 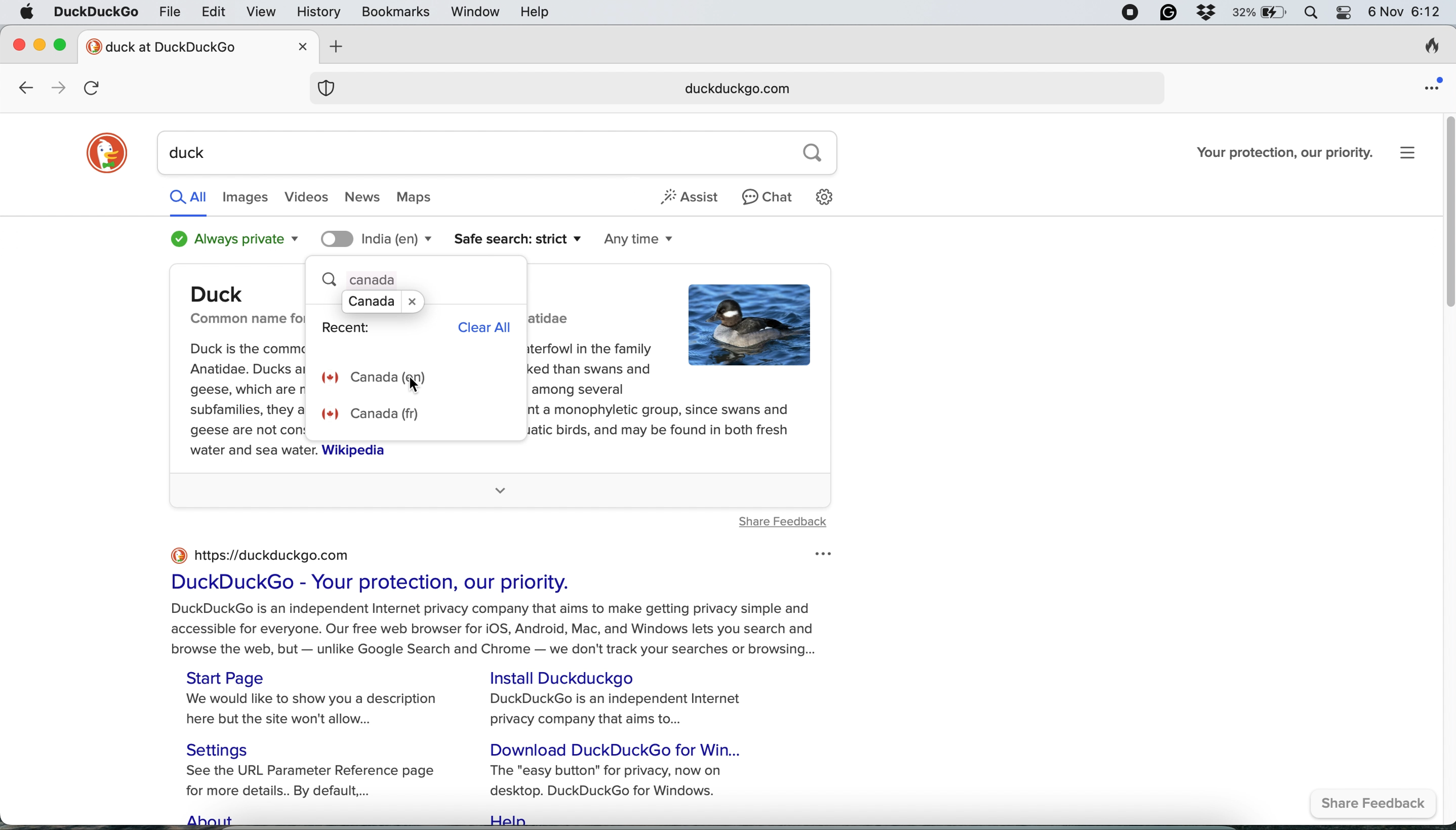 What do you see at coordinates (188, 196) in the screenshot?
I see `all` at bounding box center [188, 196].